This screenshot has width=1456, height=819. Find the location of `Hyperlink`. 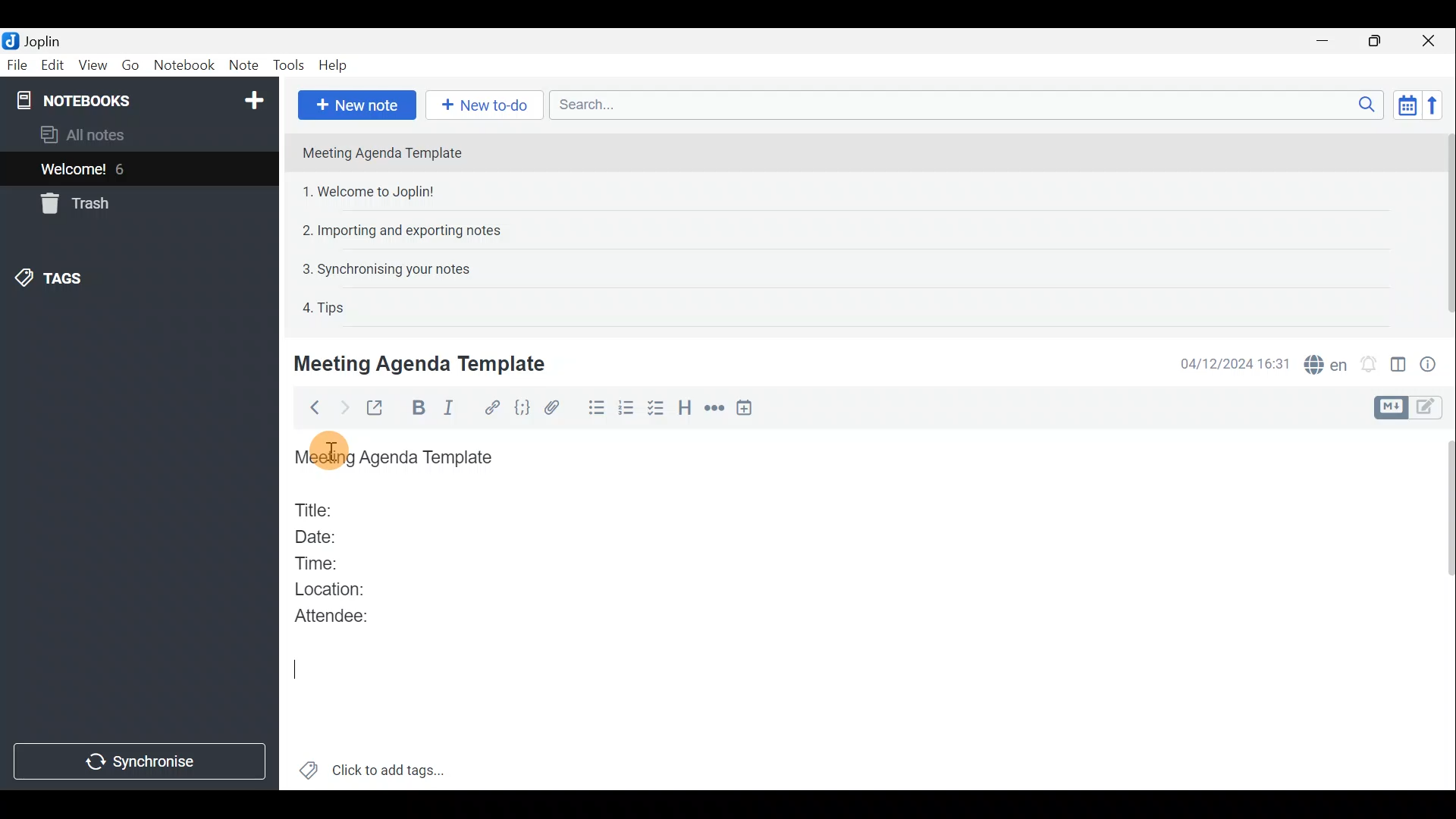

Hyperlink is located at coordinates (493, 407).